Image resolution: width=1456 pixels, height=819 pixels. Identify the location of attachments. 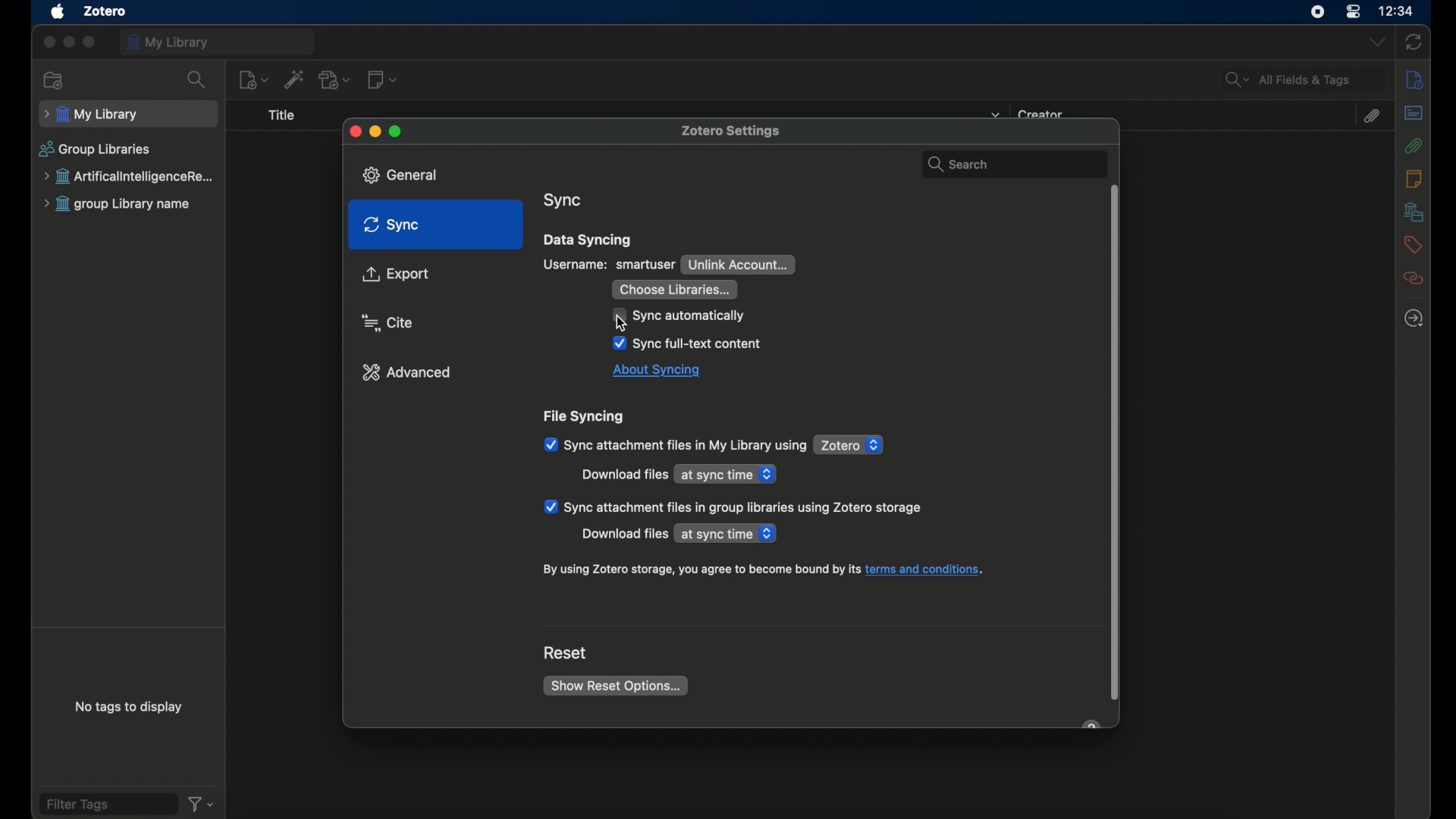
(1413, 146).